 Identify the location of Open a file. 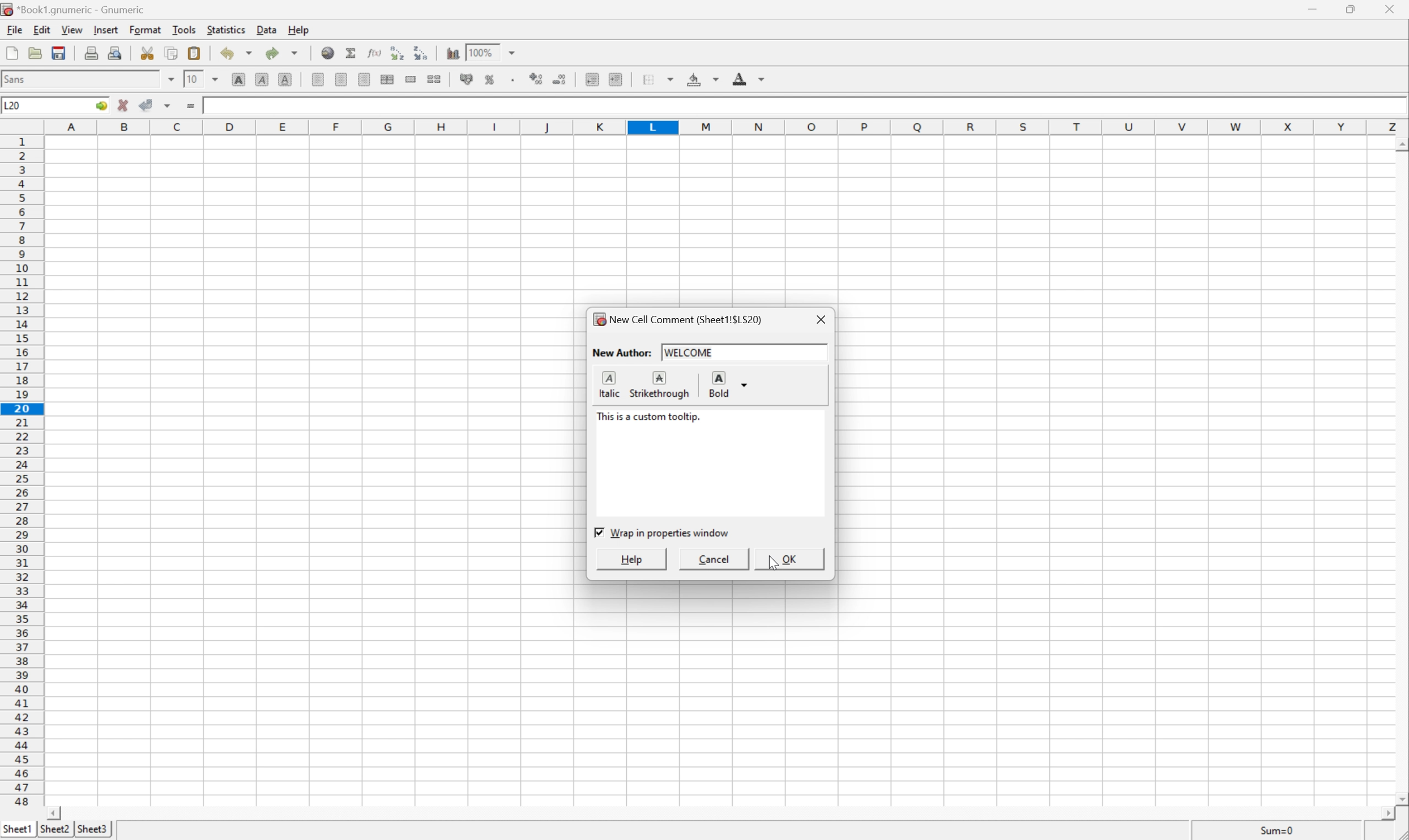
(35, 53).